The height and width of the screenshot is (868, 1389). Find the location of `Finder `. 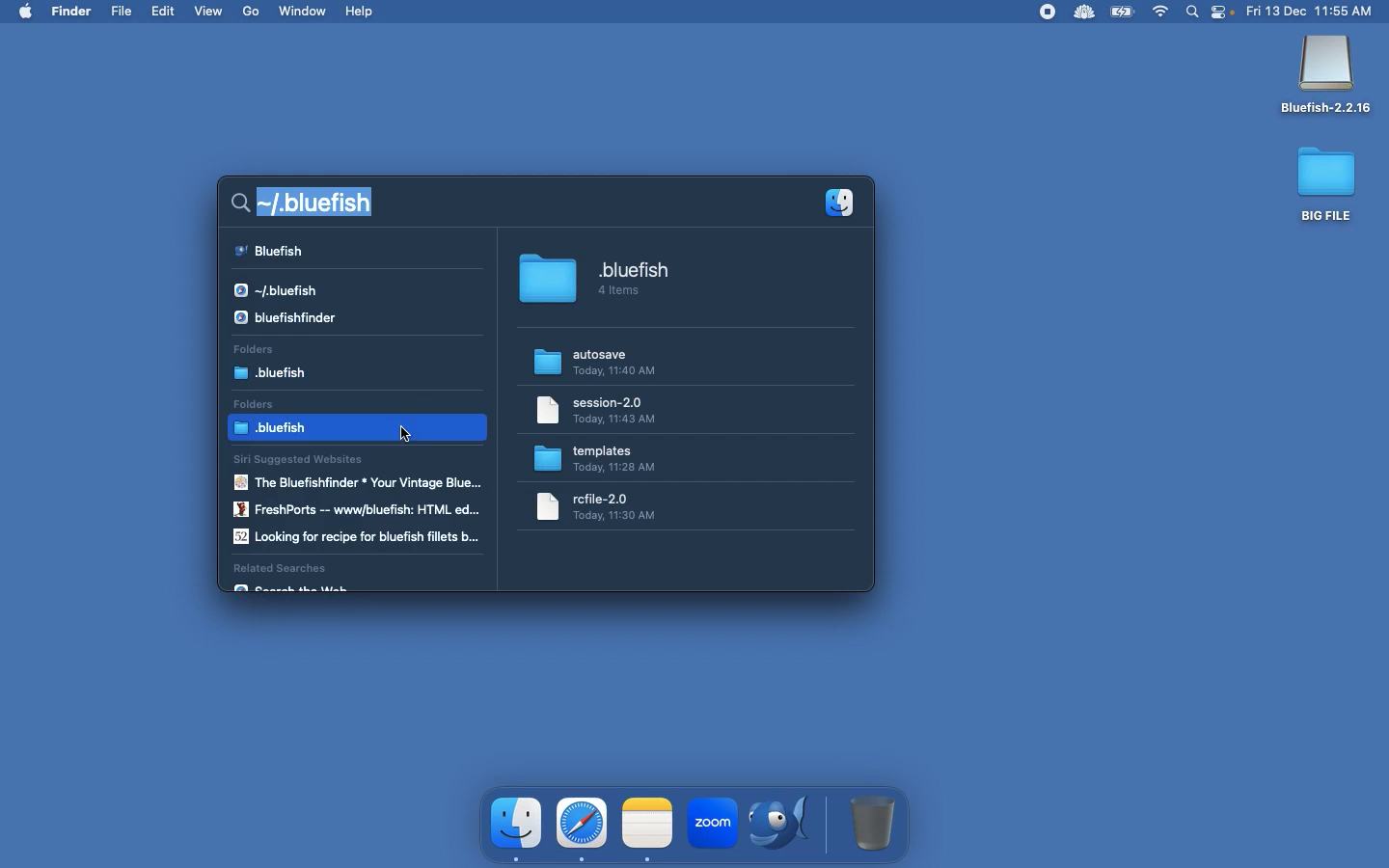

Finder  is located at coordinates (72, 12).